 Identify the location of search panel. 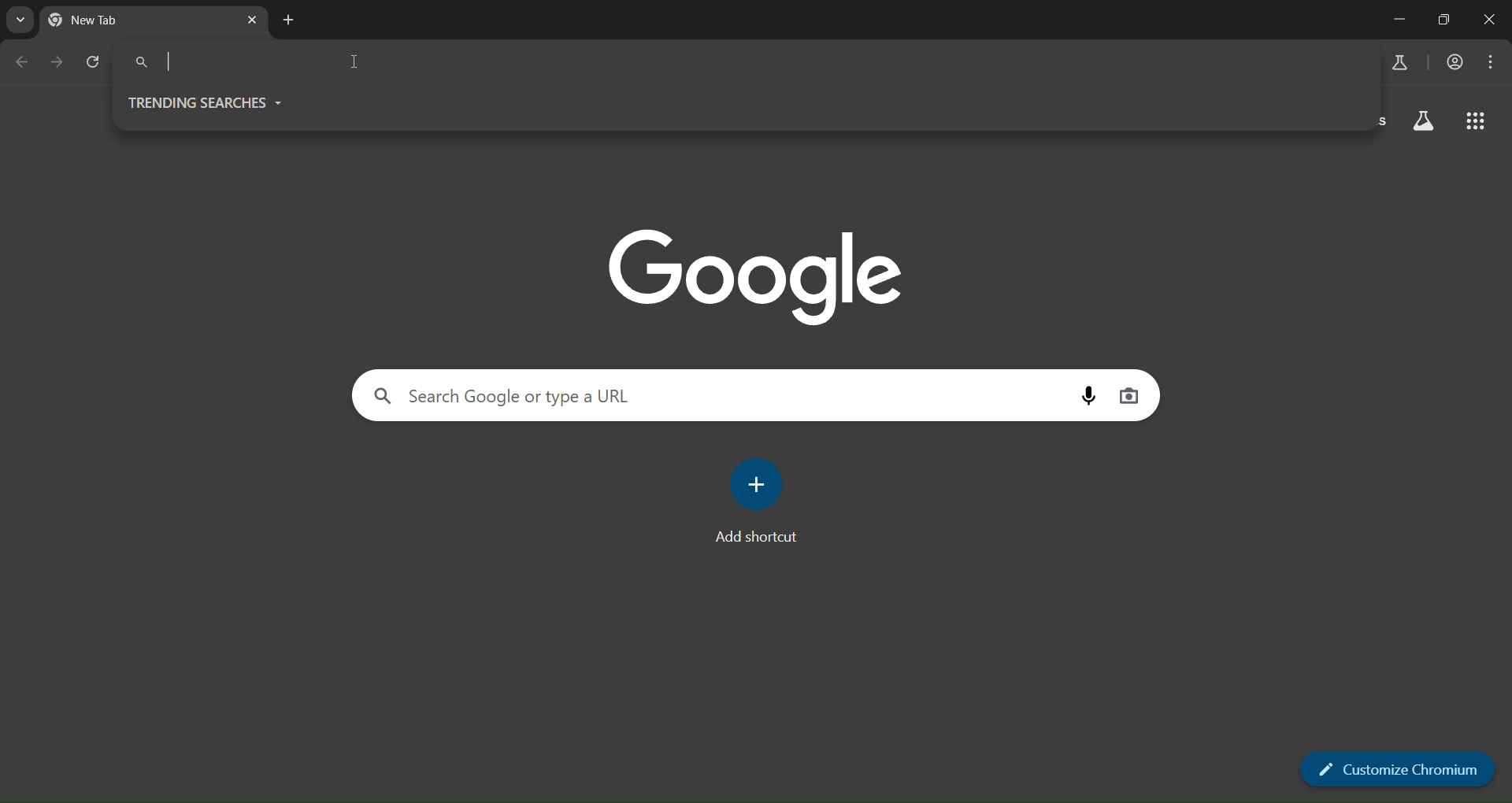
(745, 61).